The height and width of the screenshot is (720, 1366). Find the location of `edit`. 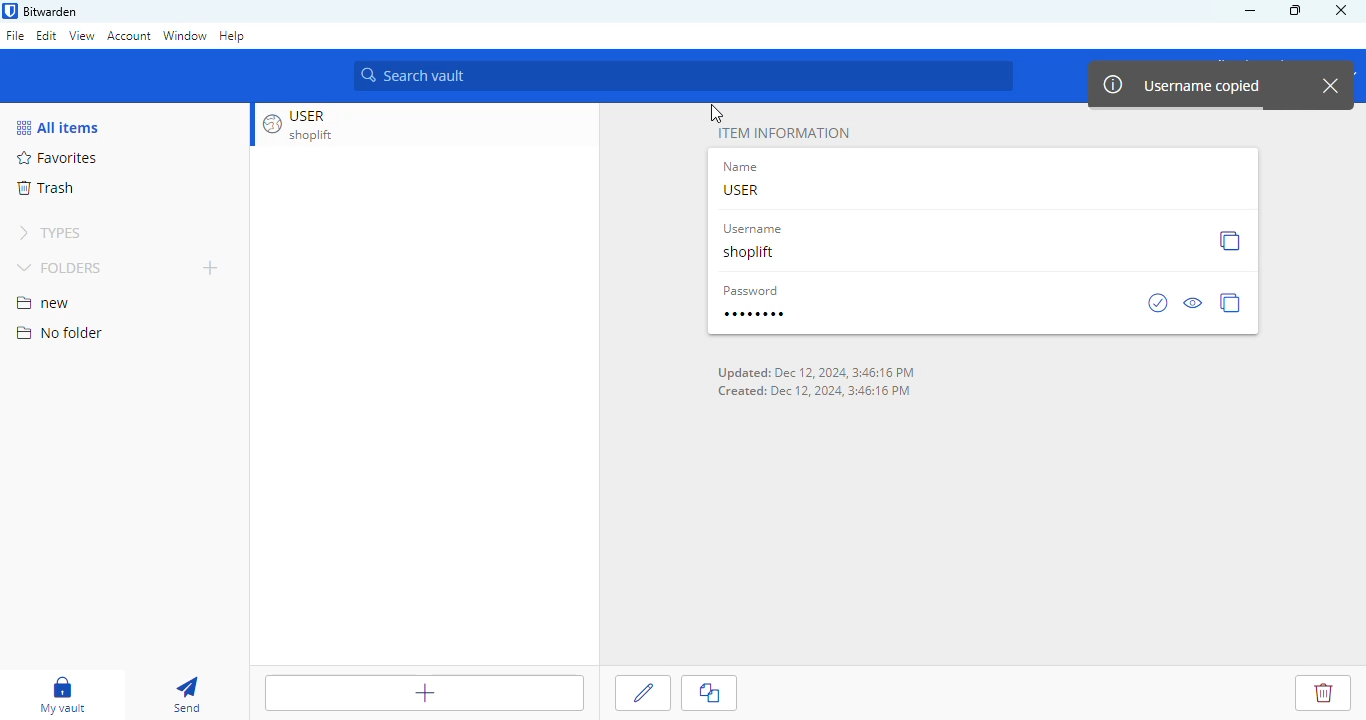

edit is located at coordinates (645, 693).